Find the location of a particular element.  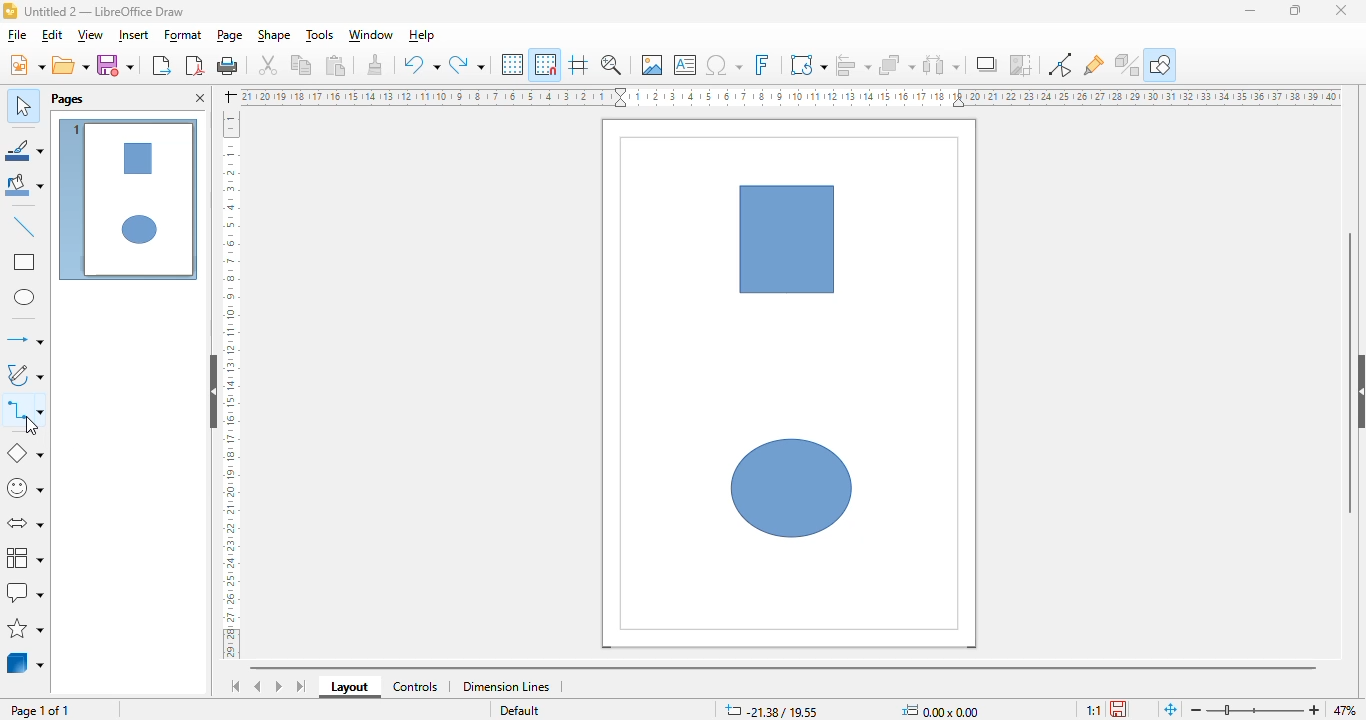

Untitled 2 - LibreOffice Draw is located at coordinates (105, 11).